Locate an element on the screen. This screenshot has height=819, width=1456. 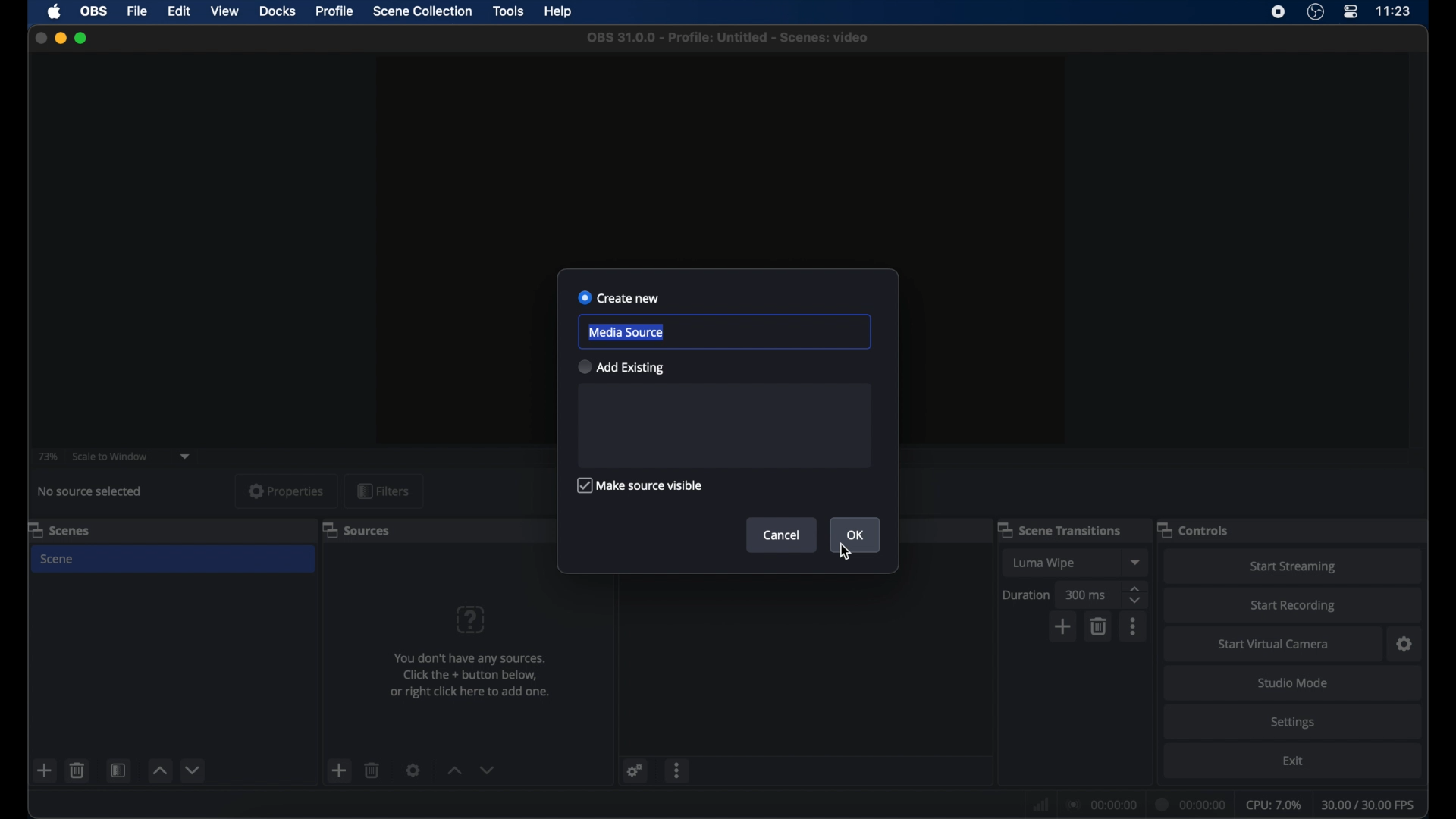
apple icon is located at coordinates (55, 12).